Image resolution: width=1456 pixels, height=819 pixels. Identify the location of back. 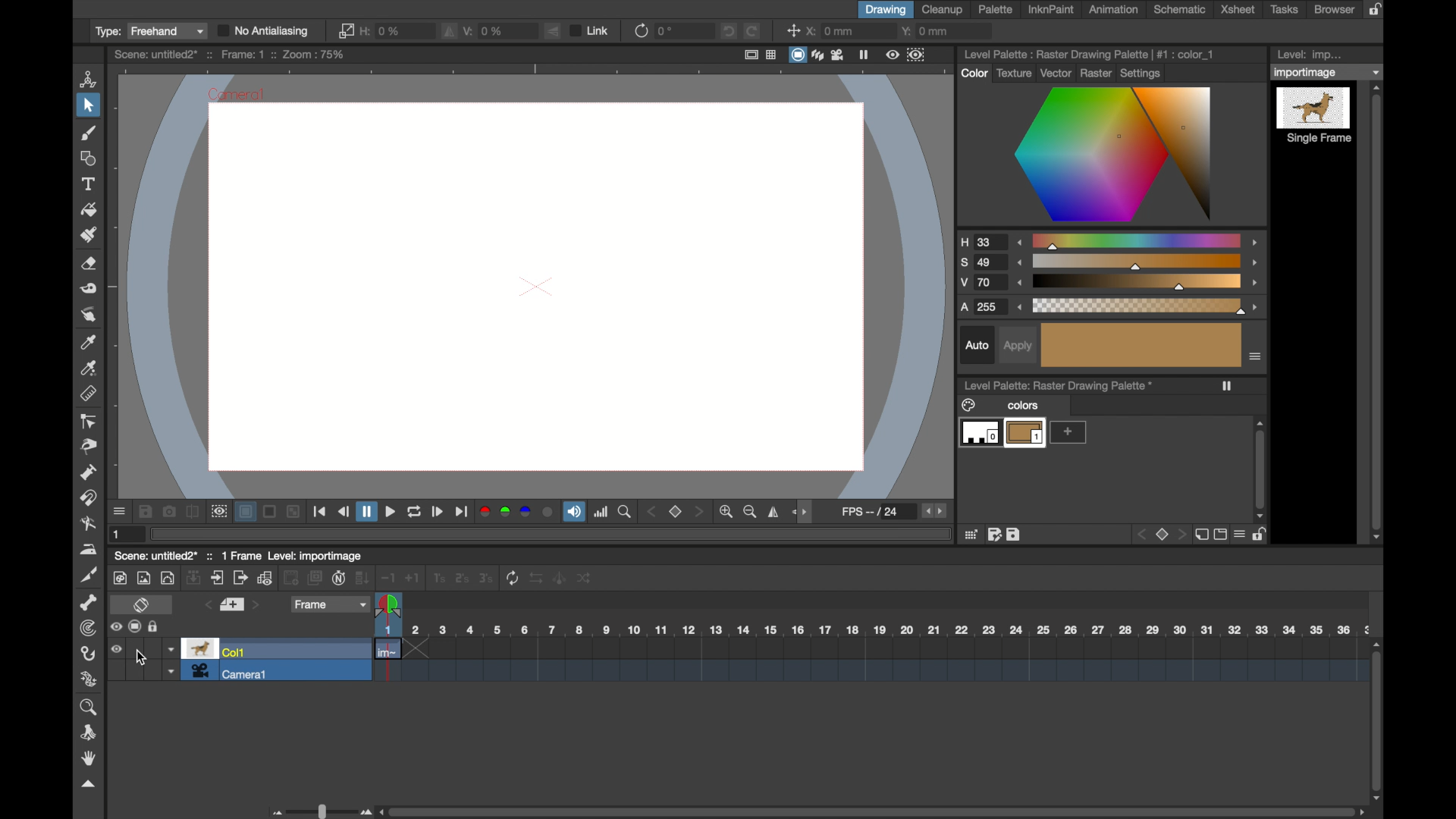
(344, 511).